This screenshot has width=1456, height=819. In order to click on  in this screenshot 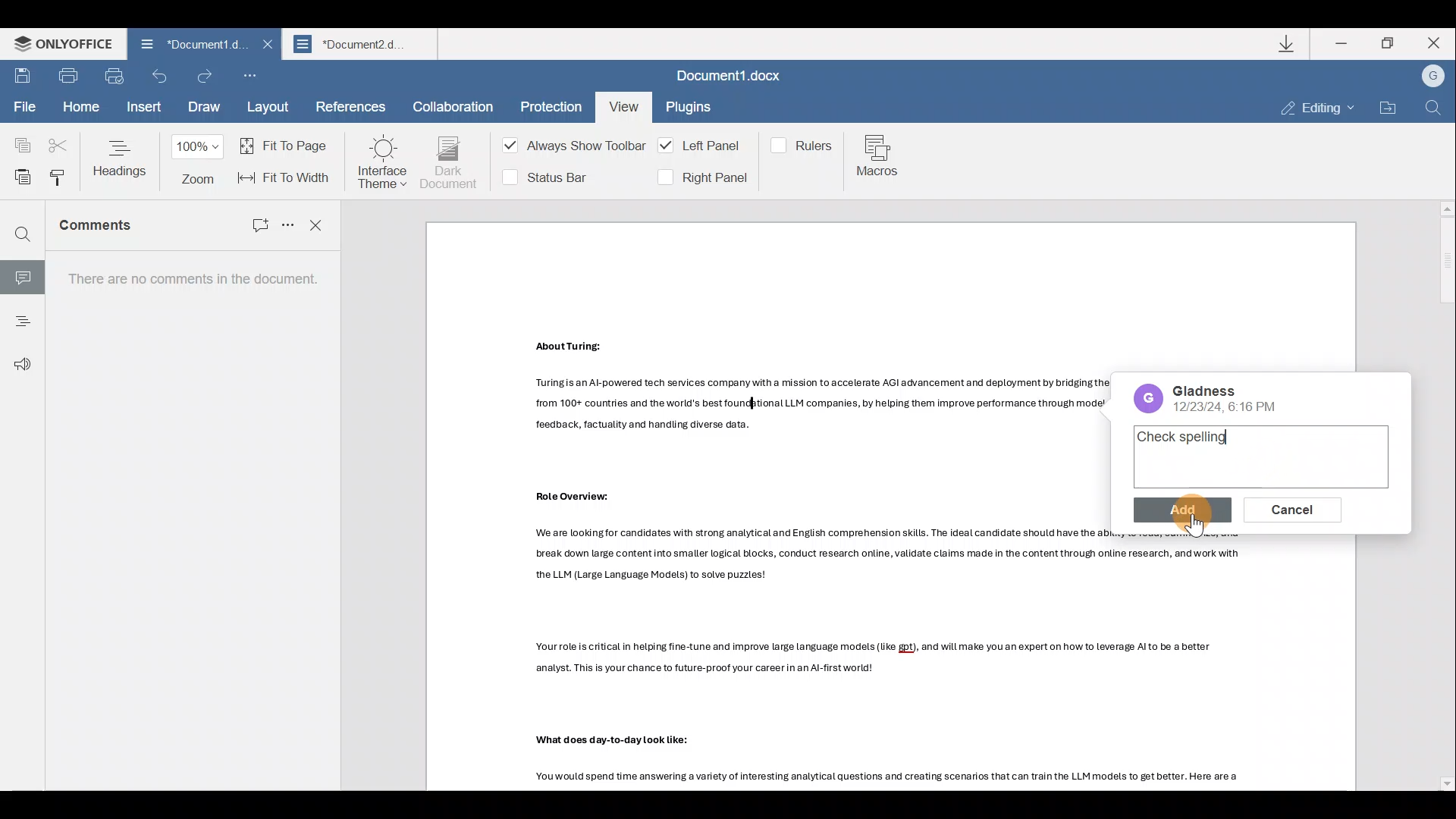, I will do `click(818, 405)`.